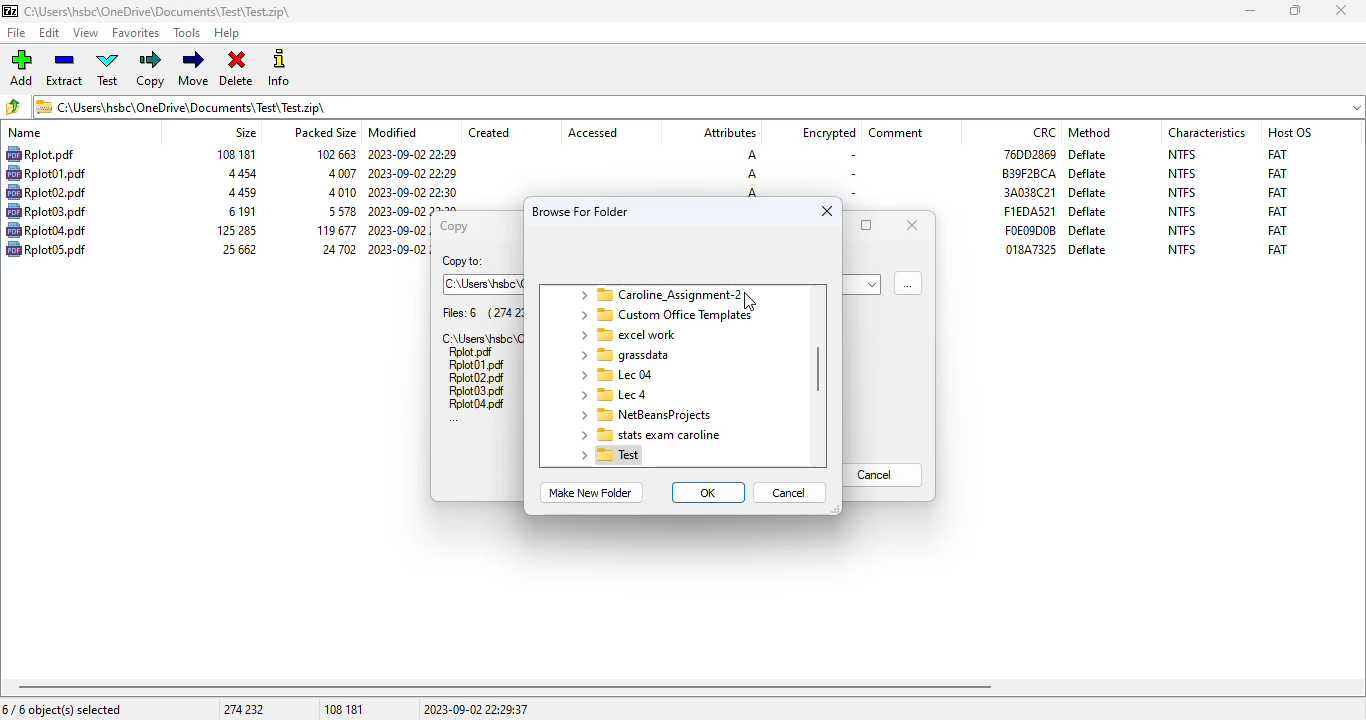 The width and height of the screenshot is (1366, 720). Describe the element at coordinates (188, 34) in the screenshot. I see `tools` at that location.